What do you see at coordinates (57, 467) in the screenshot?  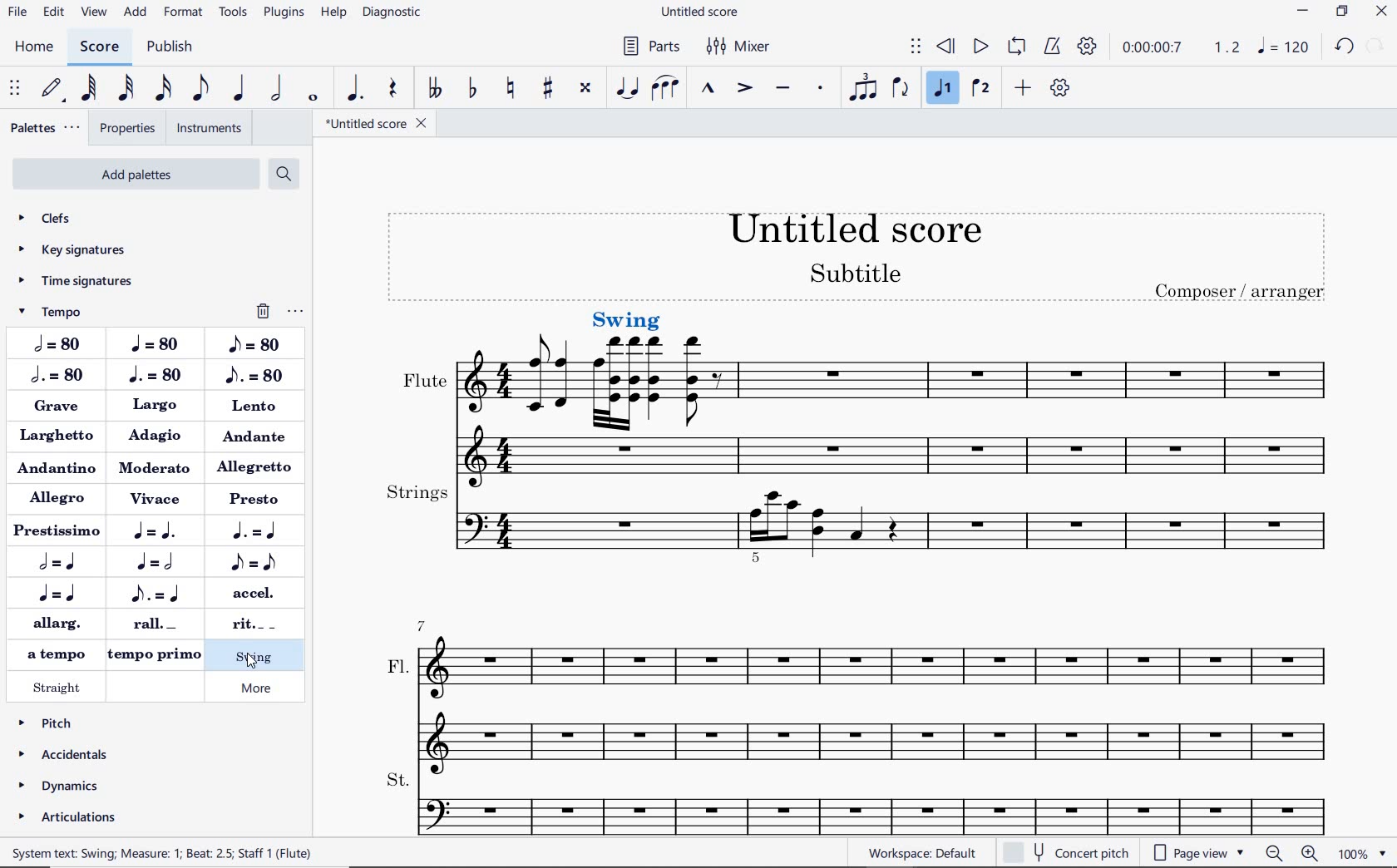 I see `ANDANTINO` at bounding box center [57, 467].